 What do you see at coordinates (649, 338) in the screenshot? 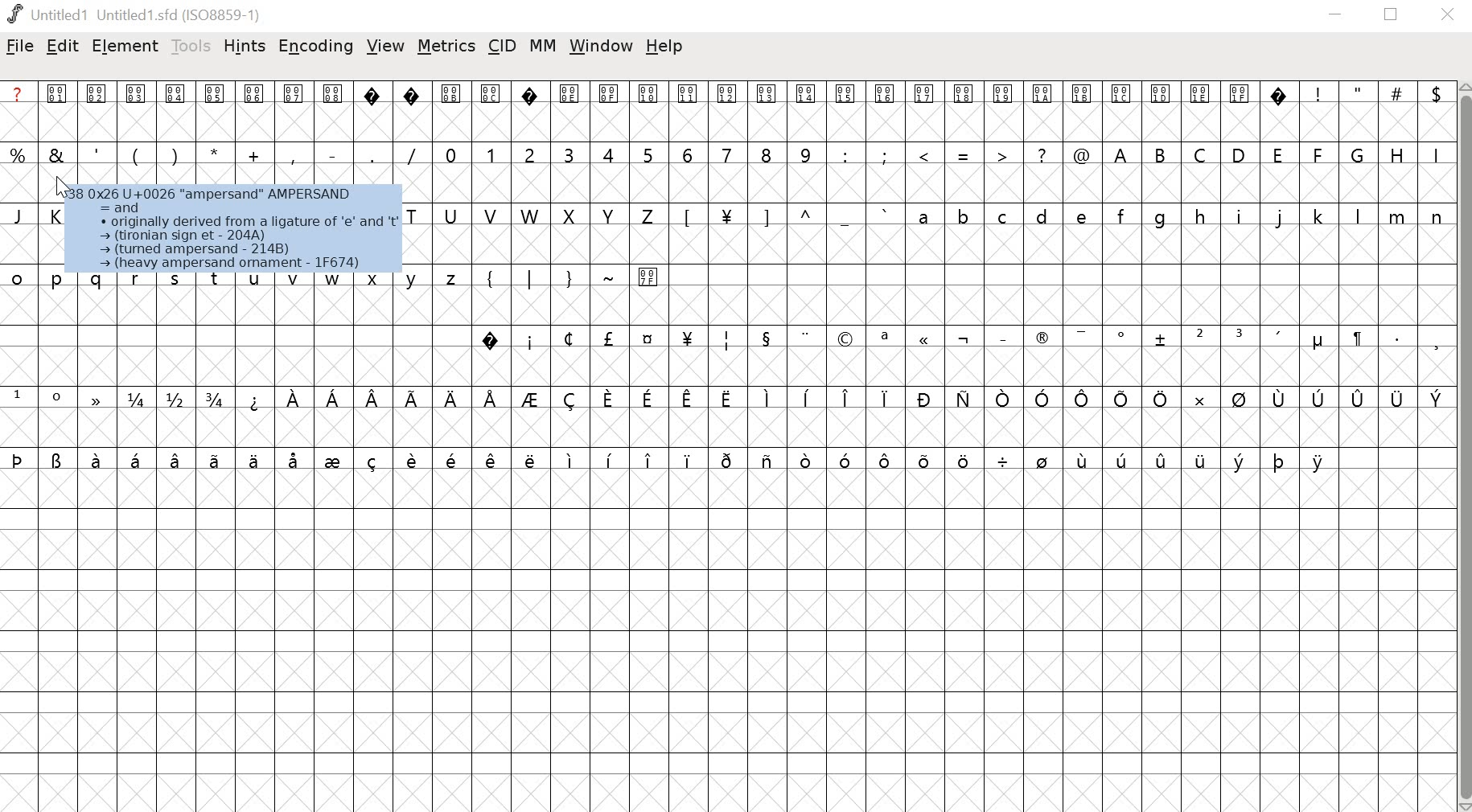
I see `symbol` at bounding box center [649, 338].